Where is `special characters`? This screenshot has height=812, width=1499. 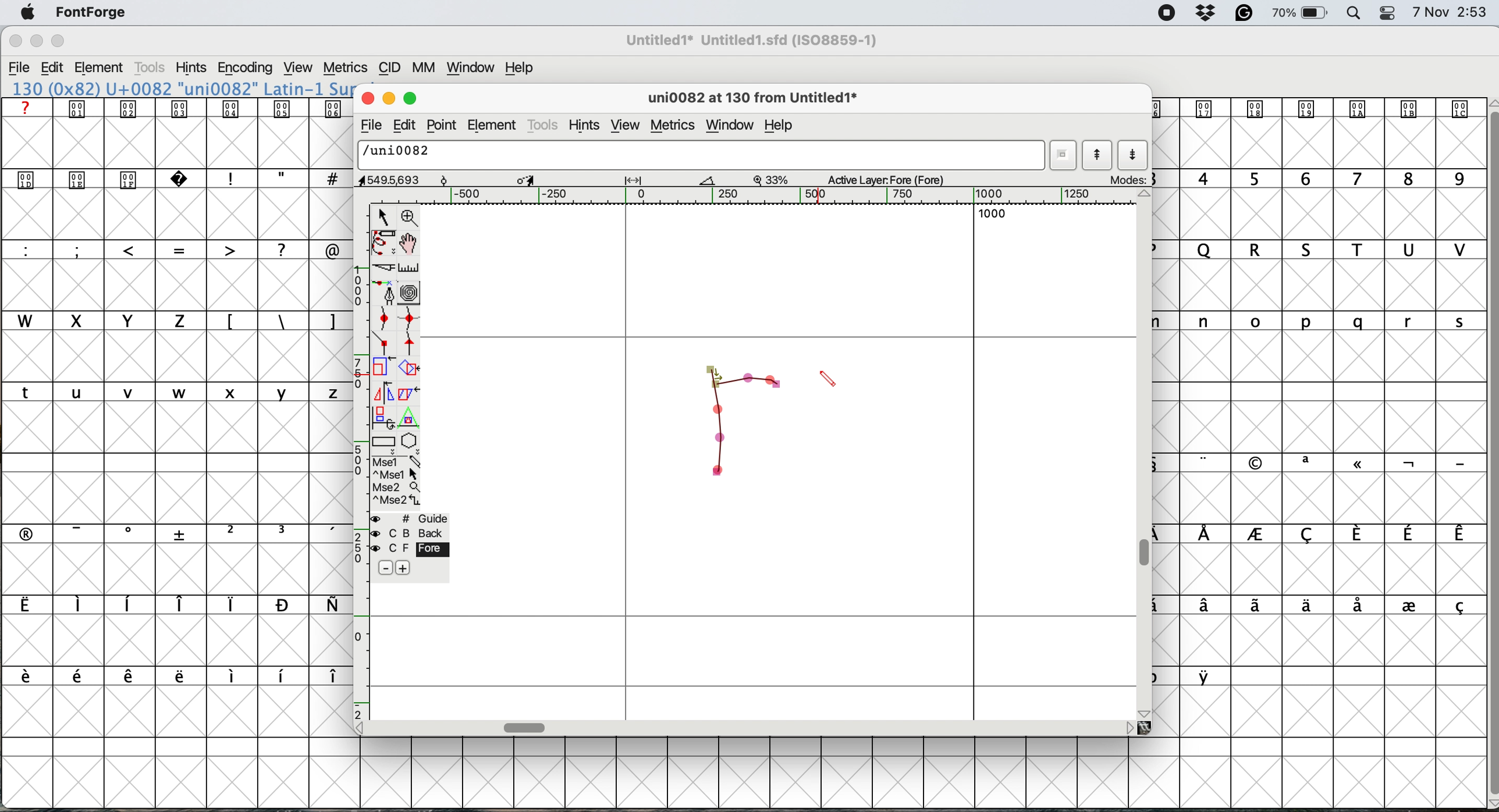
special characters is located at coordinates (169, 533).